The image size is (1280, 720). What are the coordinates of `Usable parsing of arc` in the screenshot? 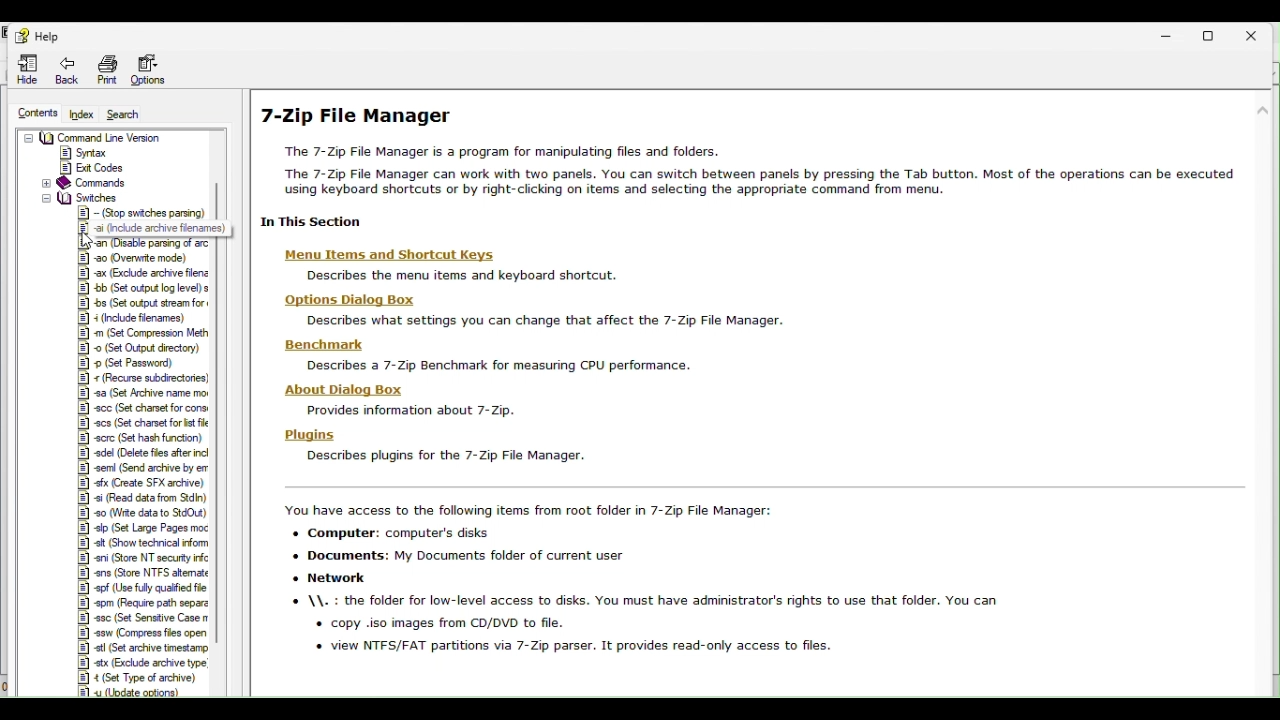 It's located at (145, 243).